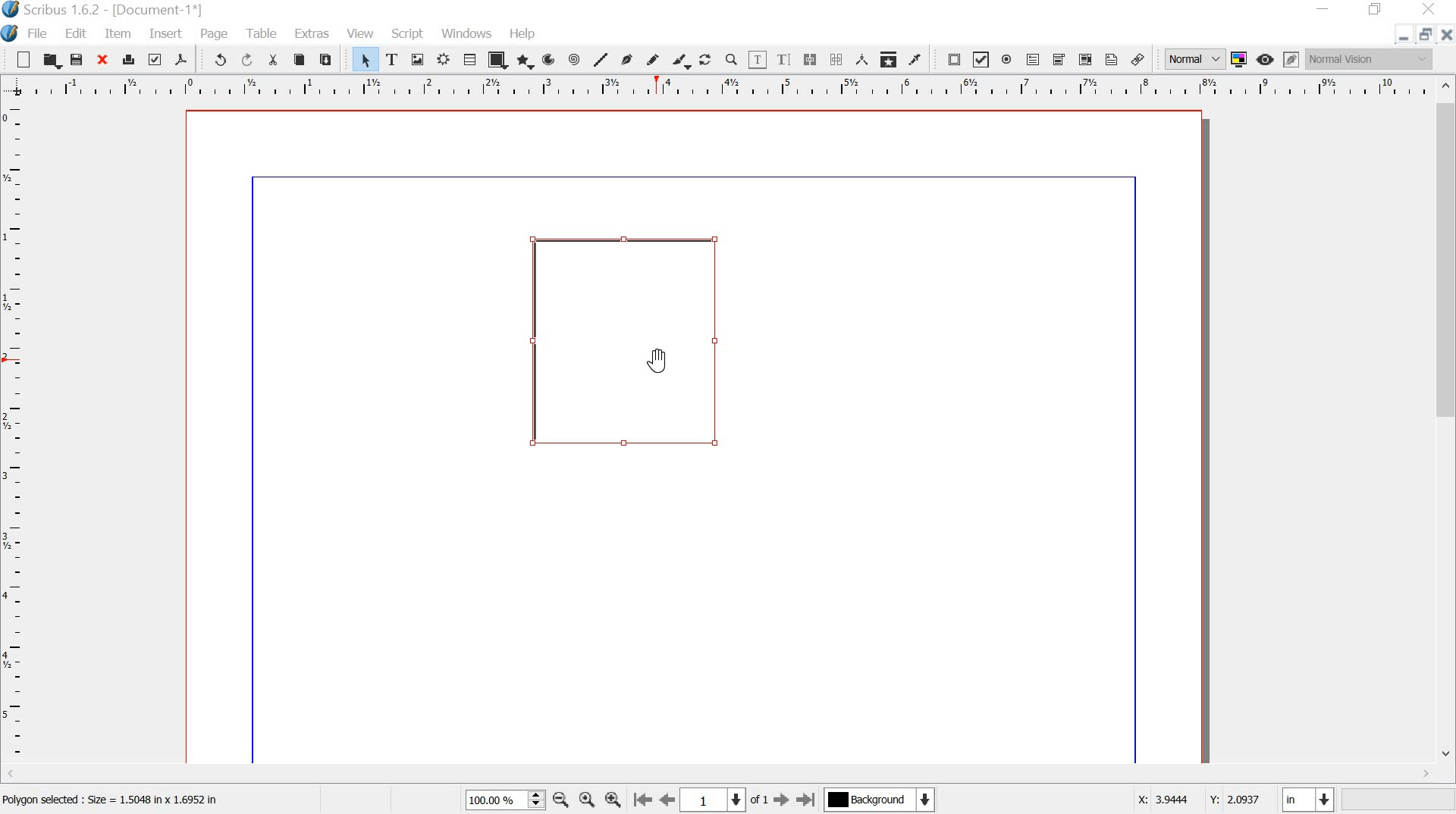 This screenshot has width=1456, height=814. I want to click on measurements, so click(863, 61).